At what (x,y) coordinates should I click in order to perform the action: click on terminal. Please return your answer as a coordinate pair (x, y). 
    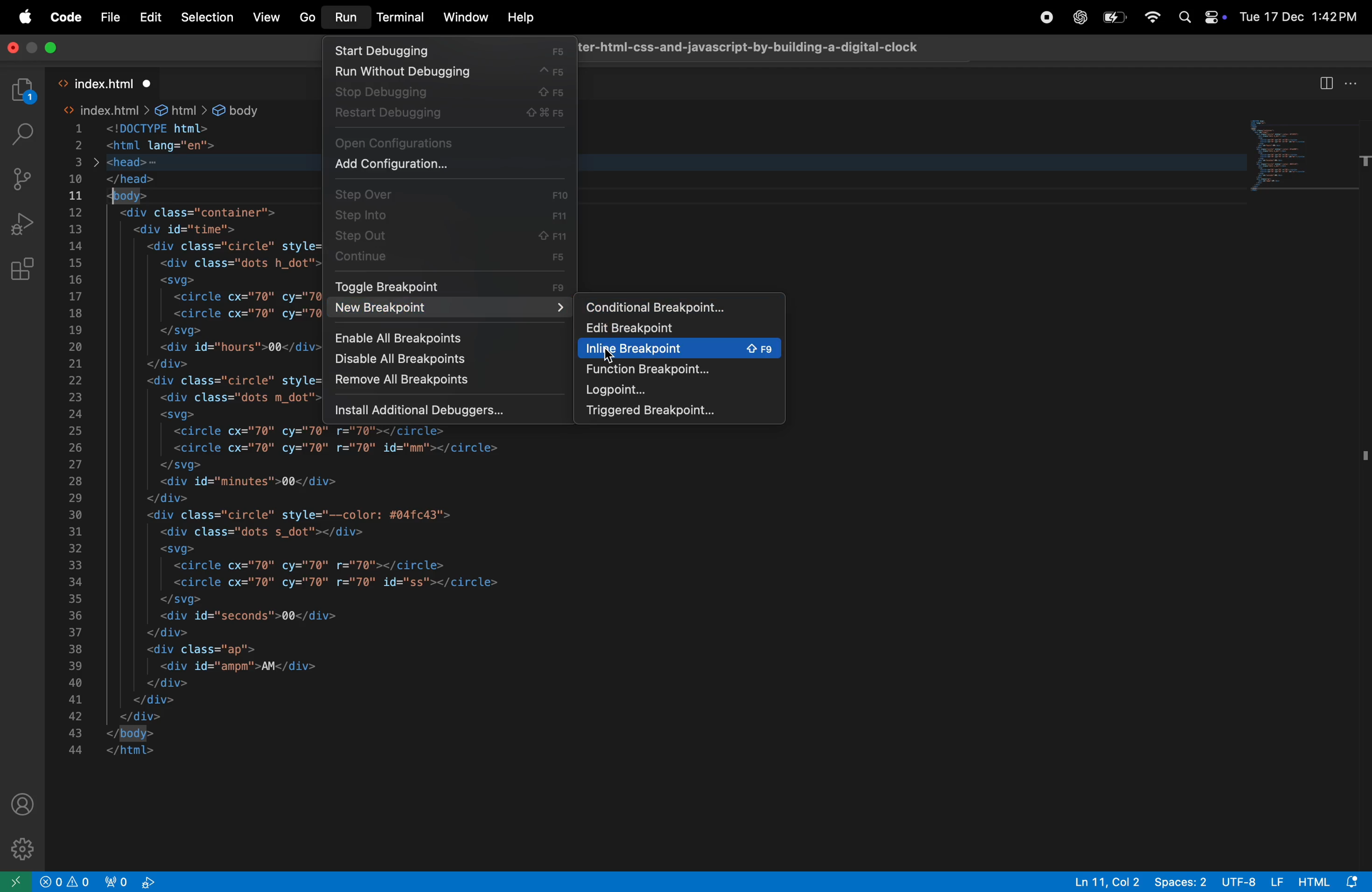
    Looking at the image, I should click on (401, 17).